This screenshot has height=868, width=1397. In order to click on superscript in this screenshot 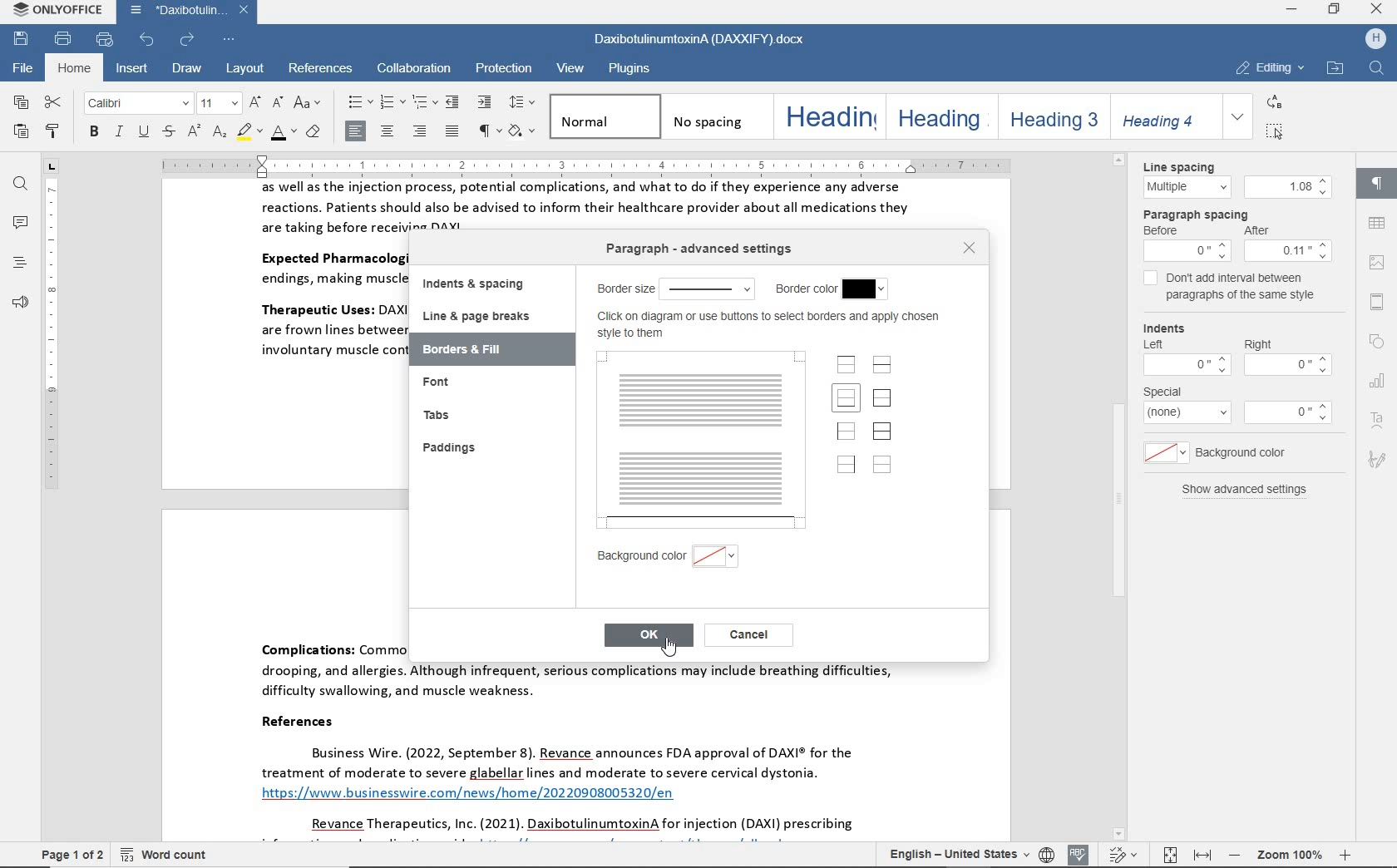, I will do `click(193, 133)`.